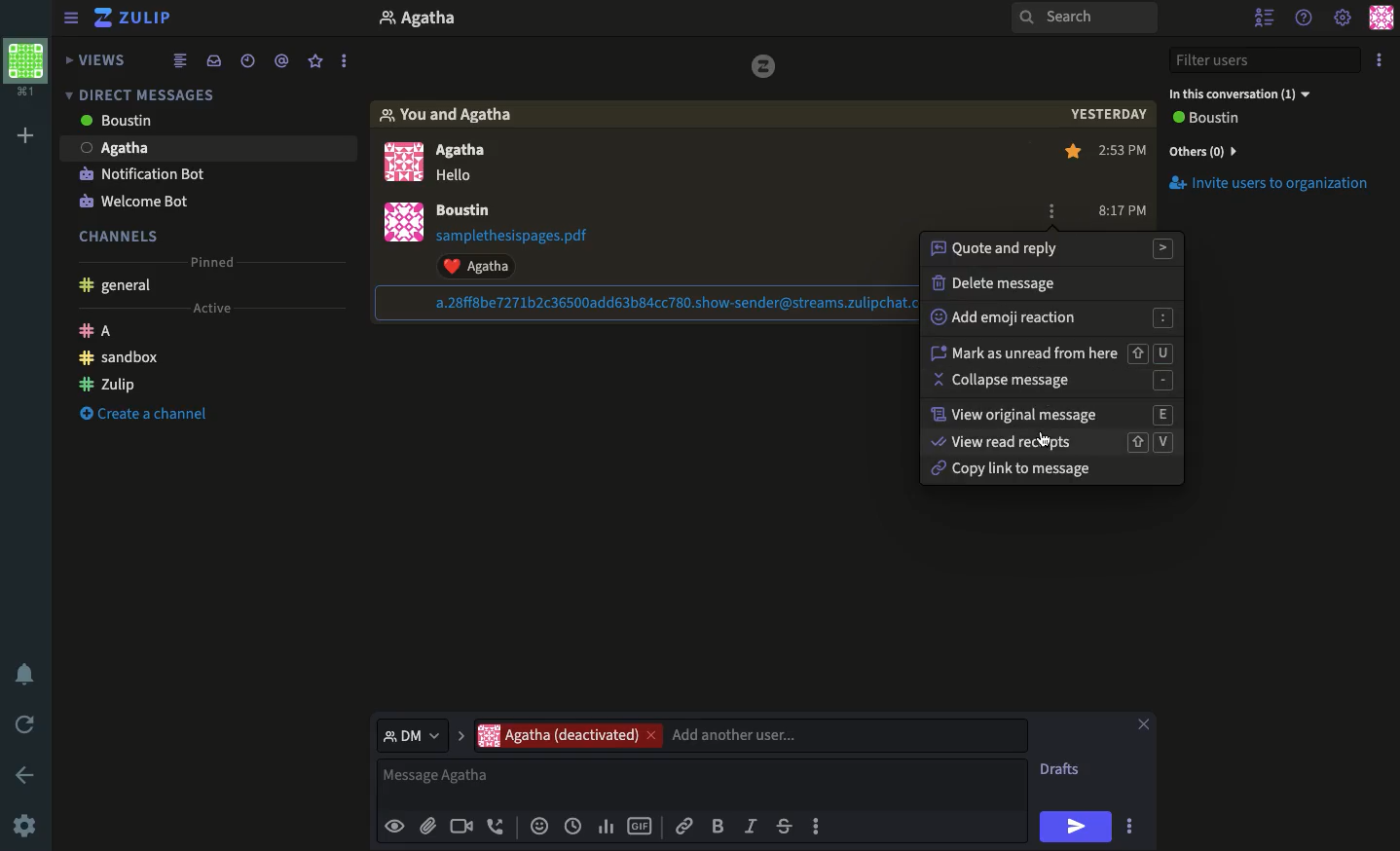 This screenshot has width=1400, height=851. What do you see at coordinates (28, 674) in the screenshot?
I see `Notification` at bounding box center [28, 674].